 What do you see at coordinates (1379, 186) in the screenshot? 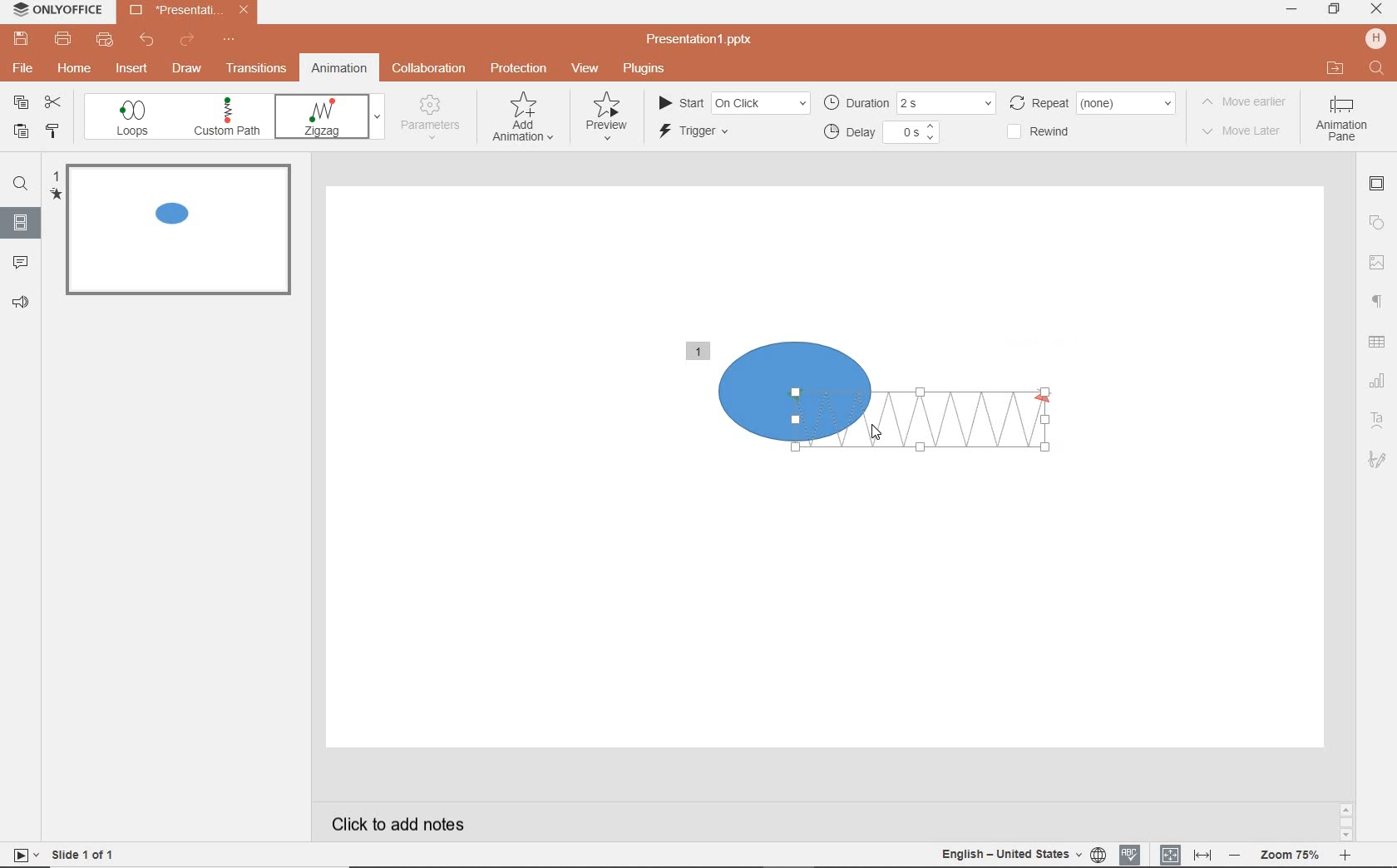
I see `slide settings` at bounding box center [1379, 186].